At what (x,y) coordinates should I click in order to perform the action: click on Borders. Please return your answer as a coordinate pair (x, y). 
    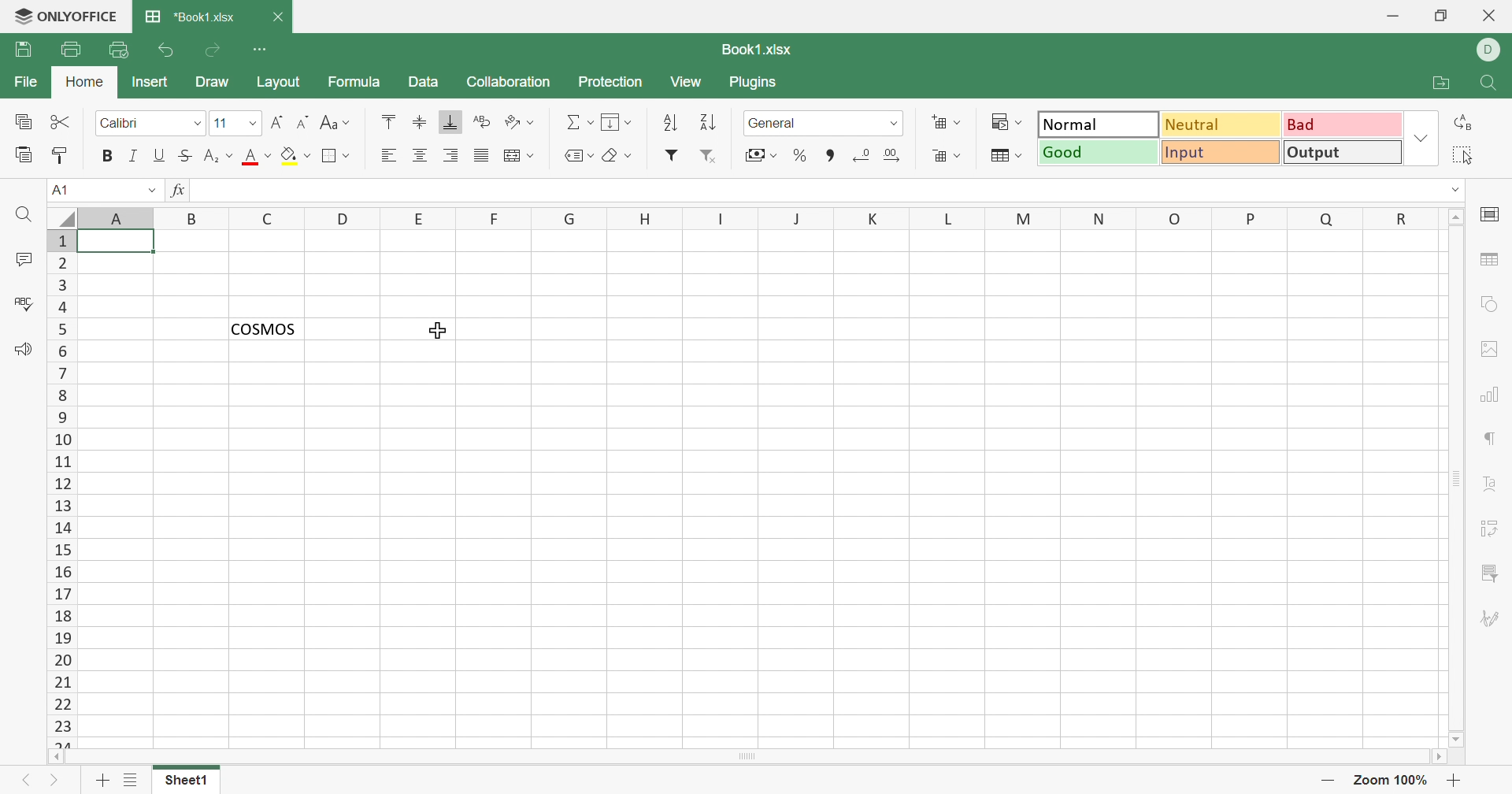
    Looking at the image, I should click on (338, 157).